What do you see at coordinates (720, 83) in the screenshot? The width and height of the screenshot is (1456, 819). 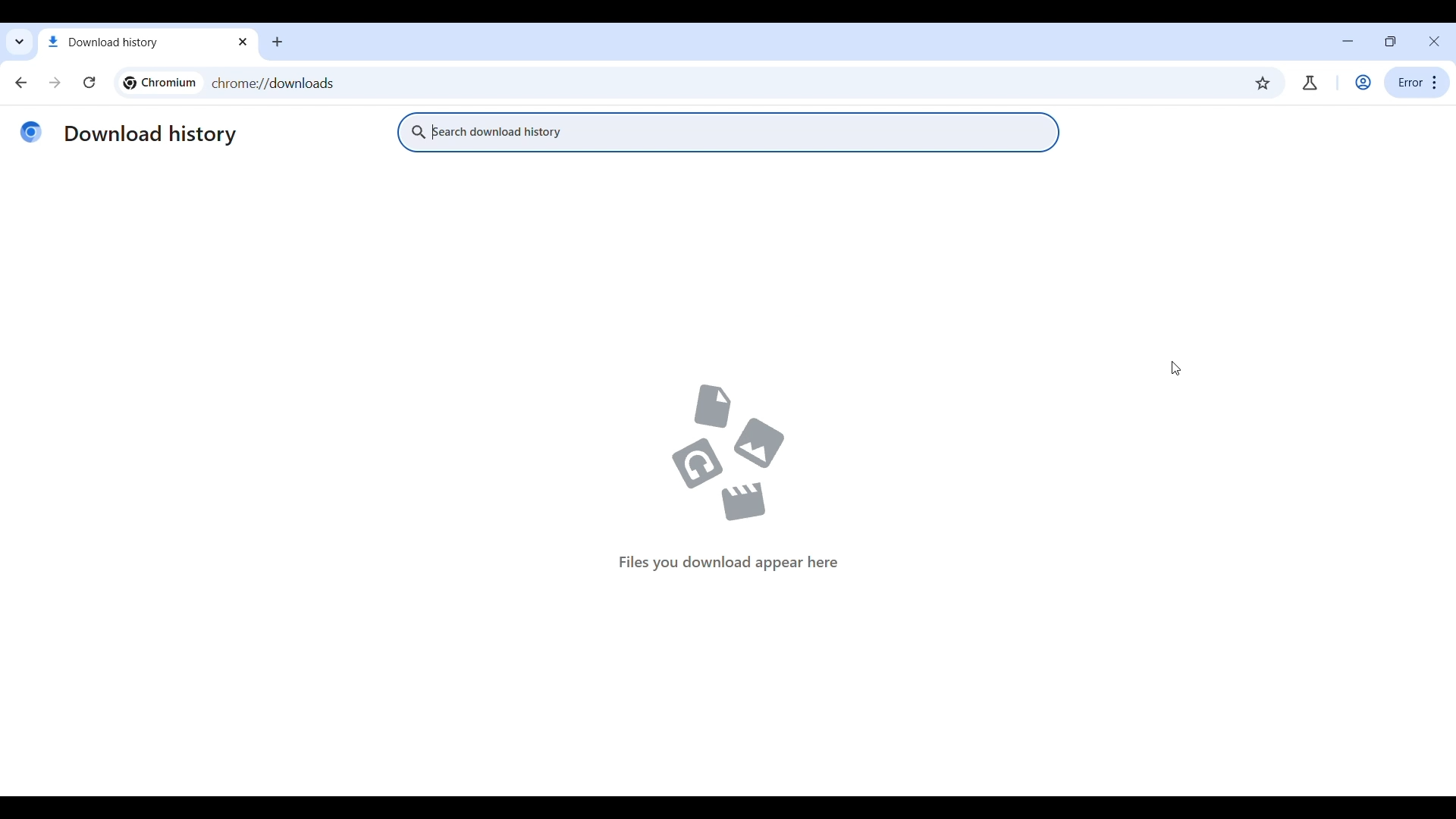 I see `chrome://downloads` at bounding box center [720, 83].